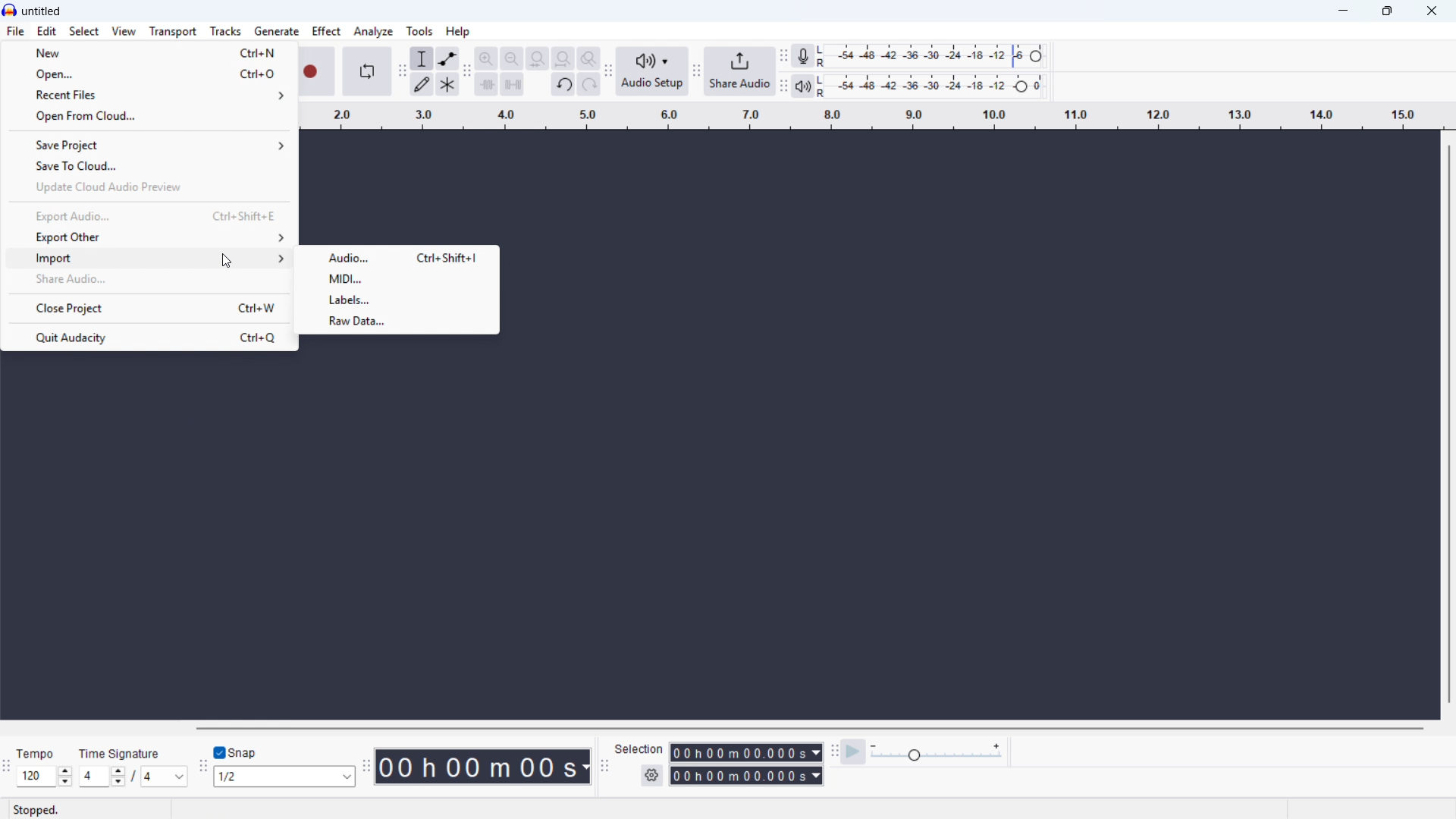 The image size is (1456, 819). I want to click on cursor, so click(226, 262).